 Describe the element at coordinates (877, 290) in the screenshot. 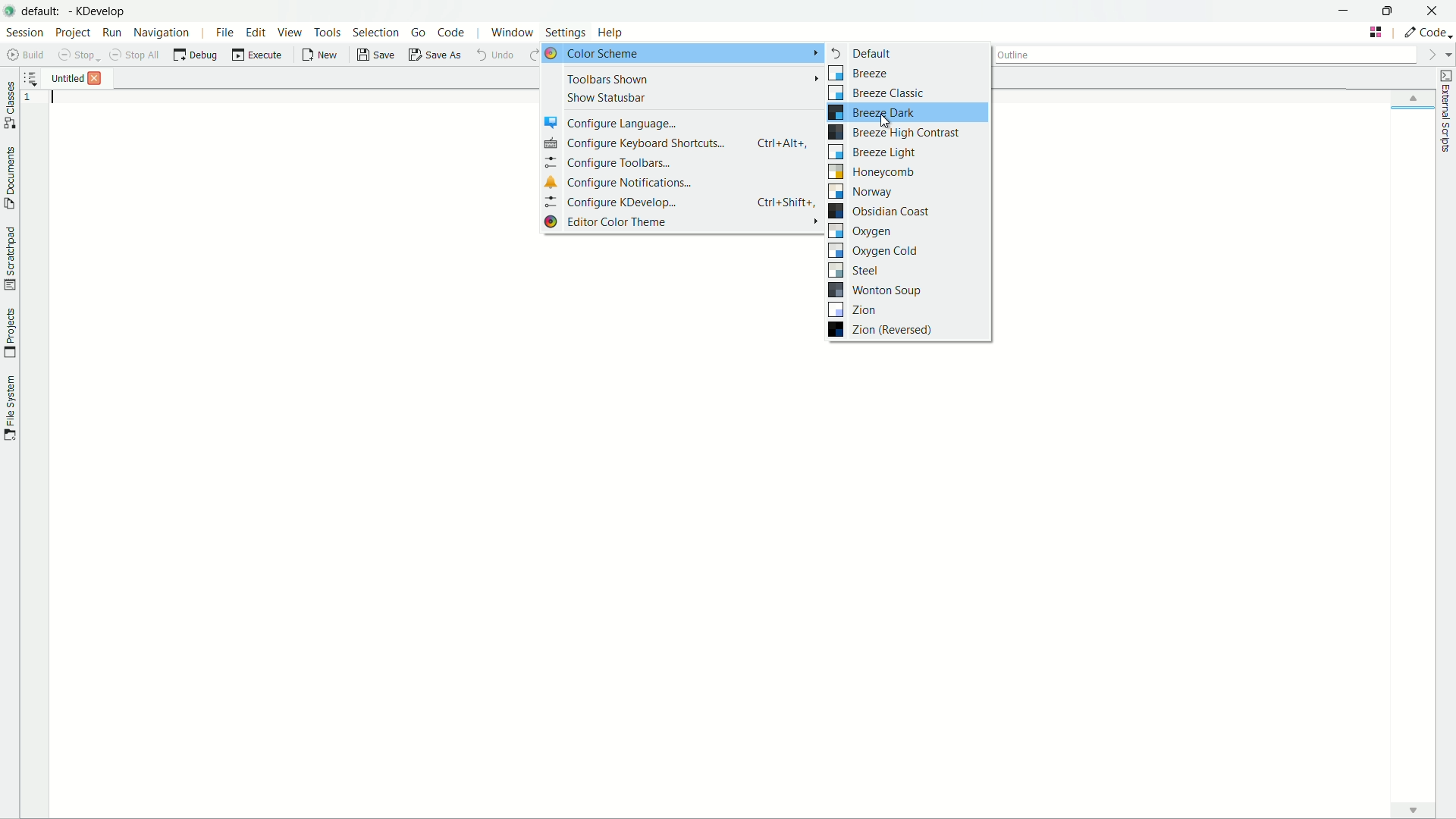

I see `wonton sou[` at that location.